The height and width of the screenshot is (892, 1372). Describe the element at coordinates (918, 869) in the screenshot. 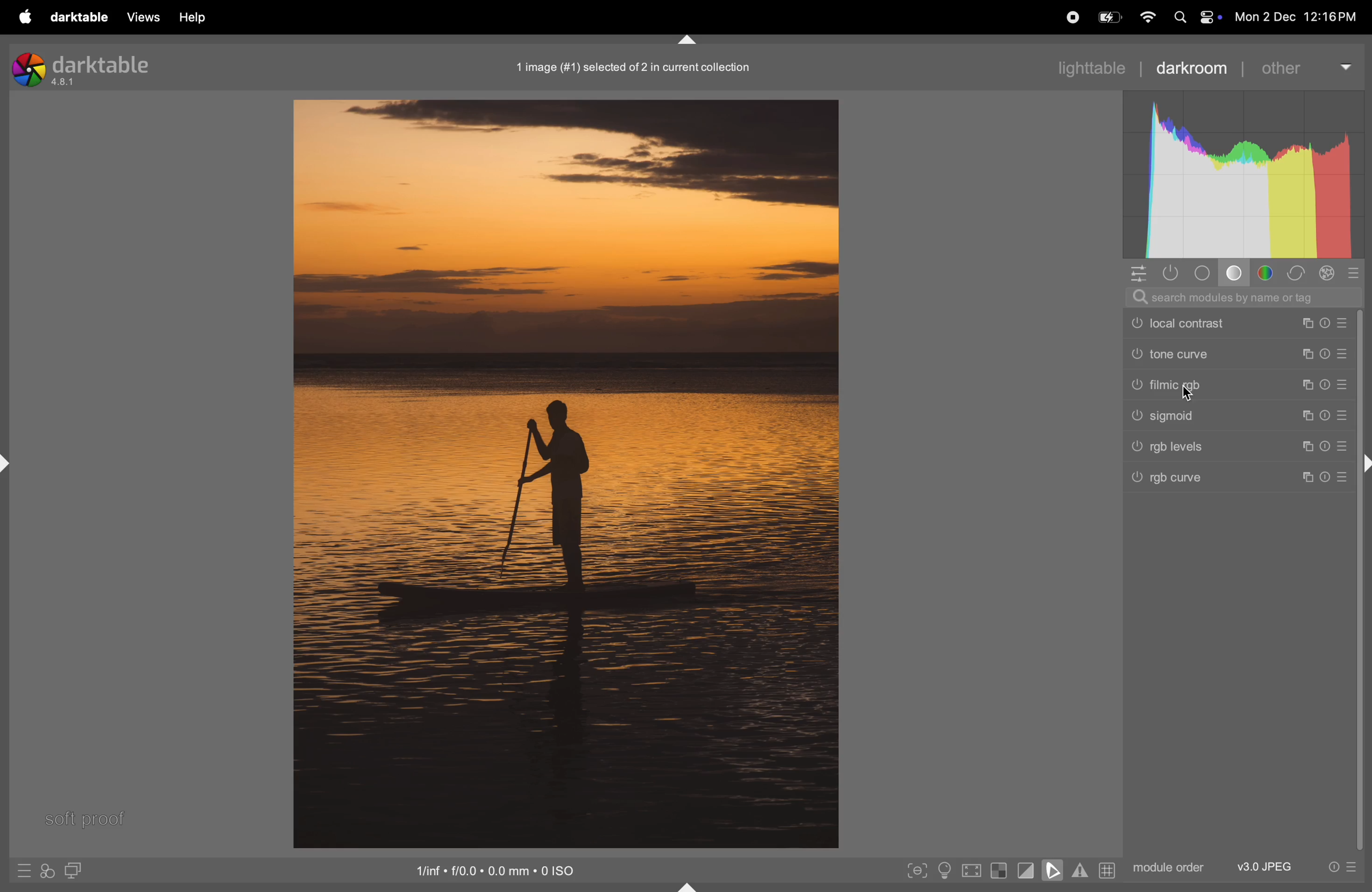

I see `toggle focus peaking mode` at that location.